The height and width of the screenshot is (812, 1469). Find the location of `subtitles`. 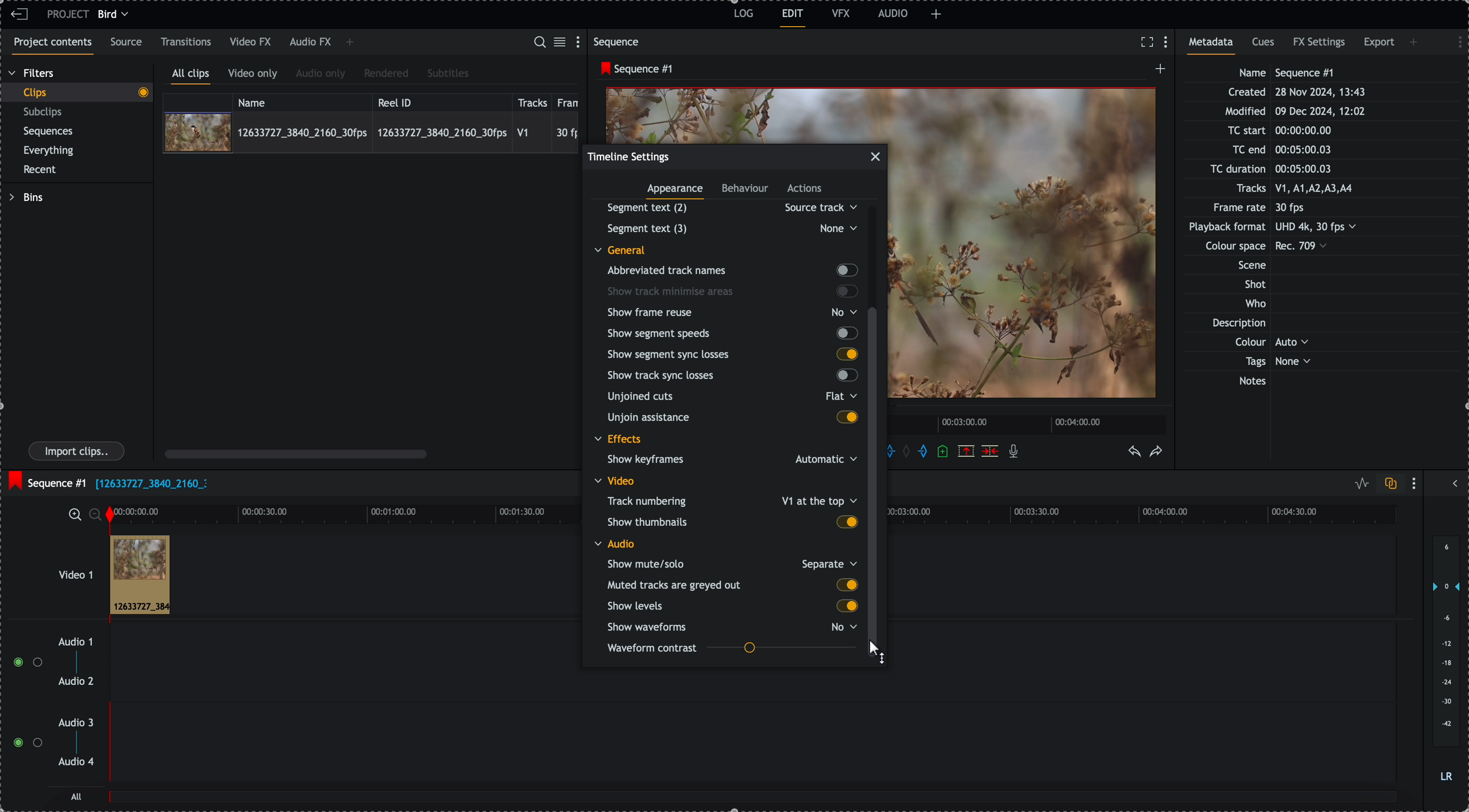

subtitles is located at coordinates (448, 74).